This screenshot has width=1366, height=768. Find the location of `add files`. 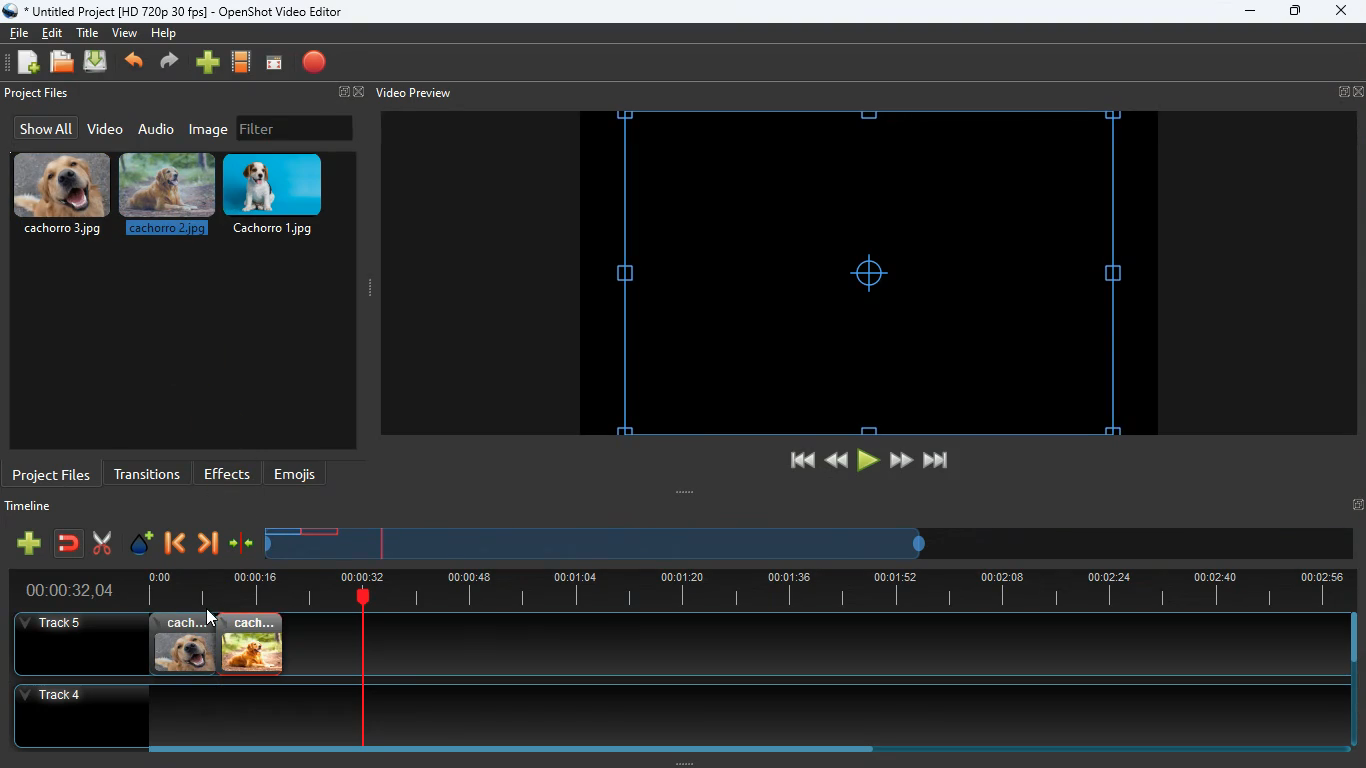

add files is located at coordinates (30, 65).